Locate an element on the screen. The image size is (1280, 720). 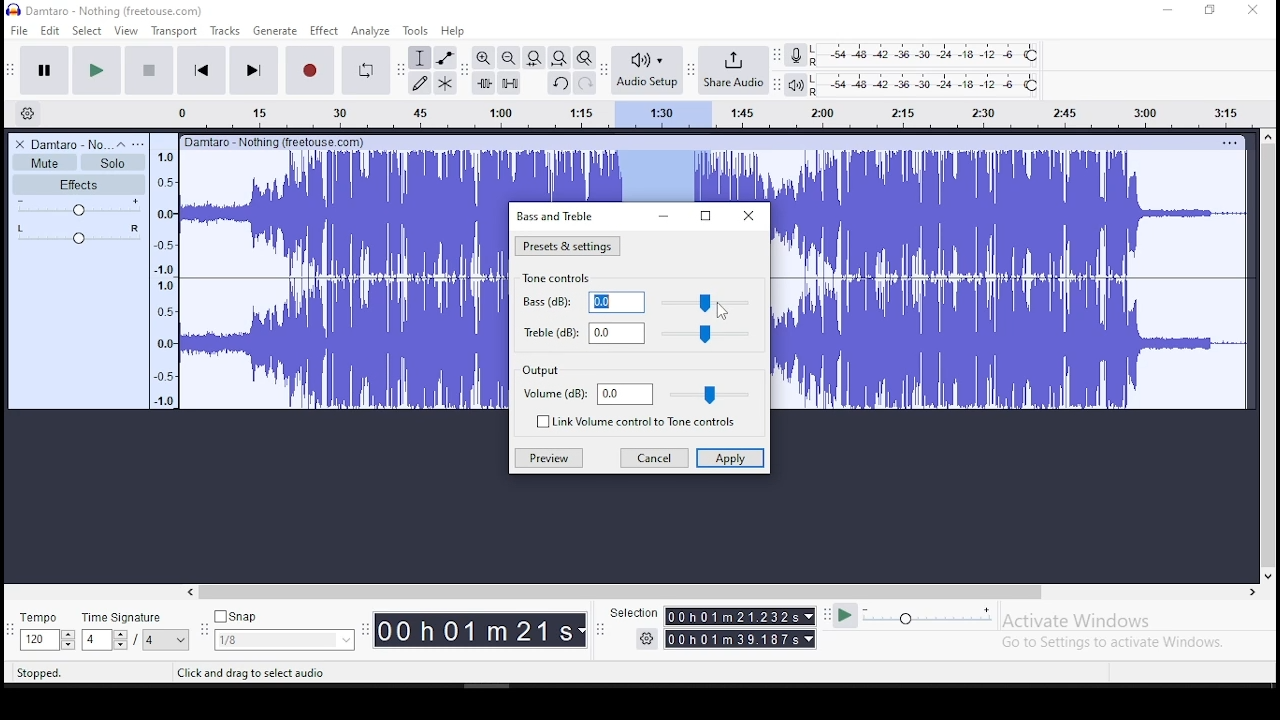
 is located at coordinates (604, 70).